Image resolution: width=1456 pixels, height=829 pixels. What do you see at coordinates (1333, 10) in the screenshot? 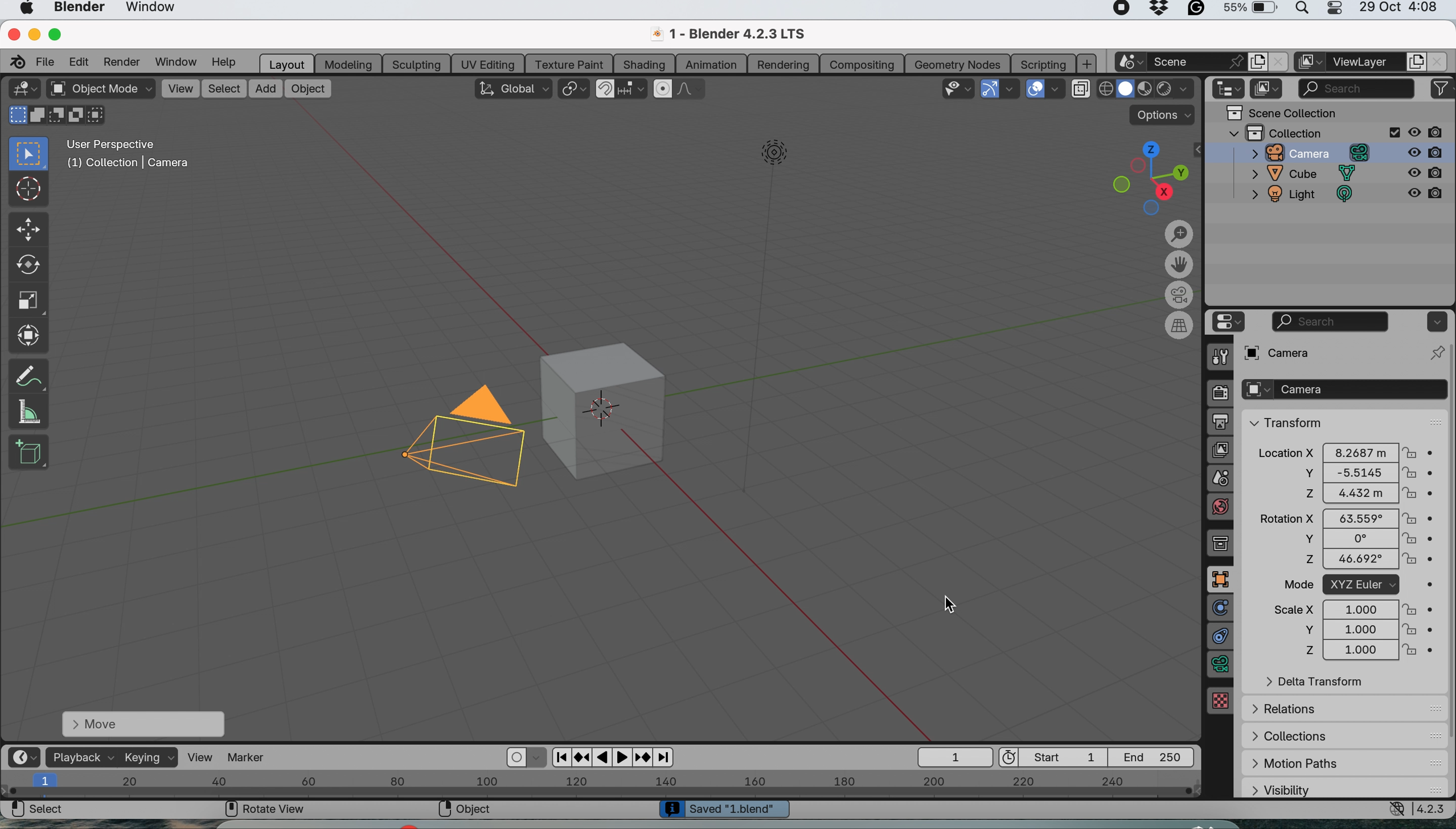
I see `control center` at bounding box center [1333, 10].